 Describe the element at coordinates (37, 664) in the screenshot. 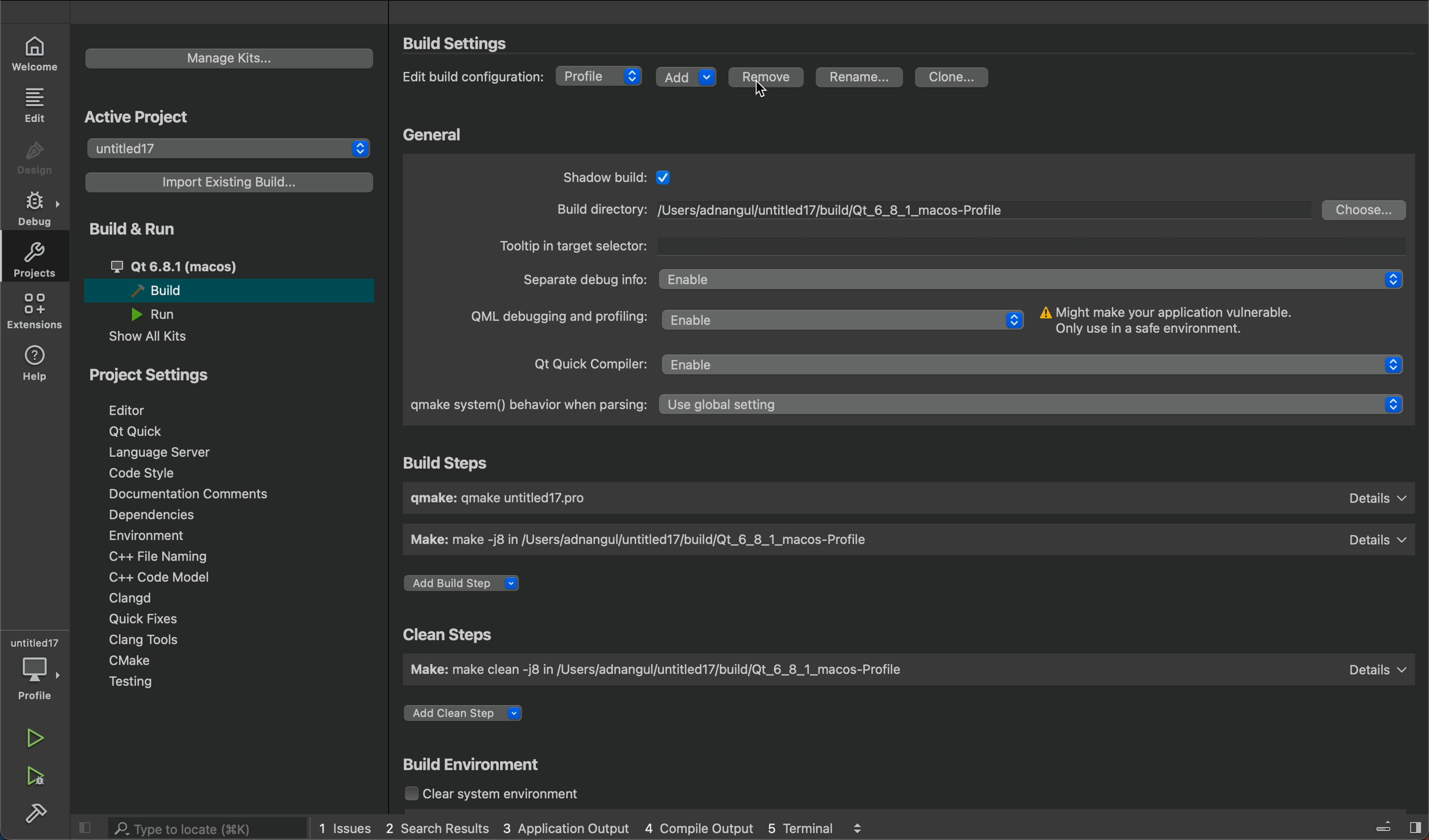

I see `debugger` at that location.